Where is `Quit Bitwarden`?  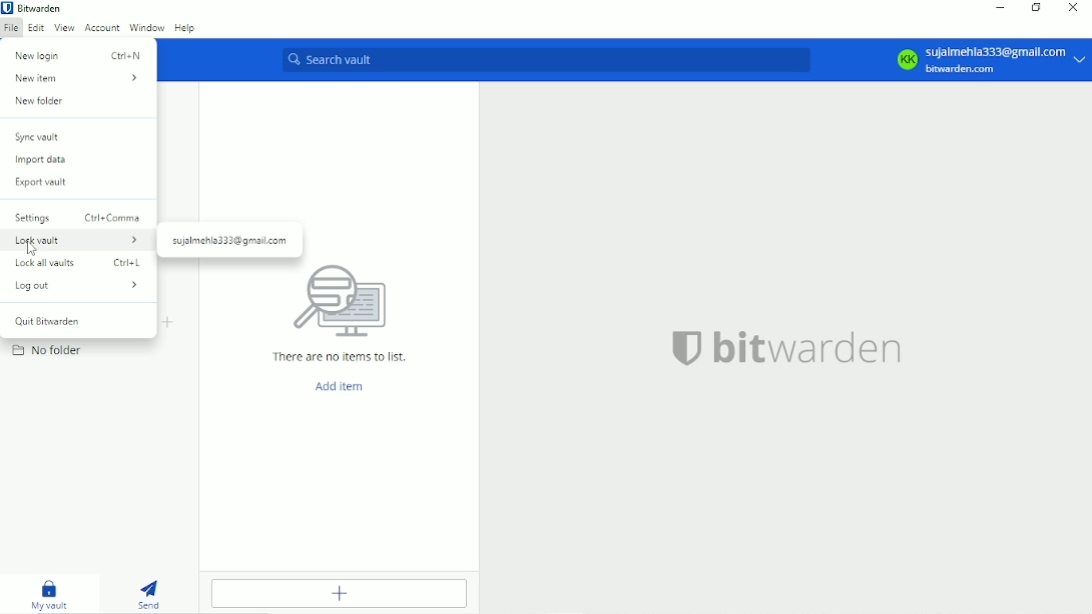 Quit Bitwarden is located at coordinates (55, 320).